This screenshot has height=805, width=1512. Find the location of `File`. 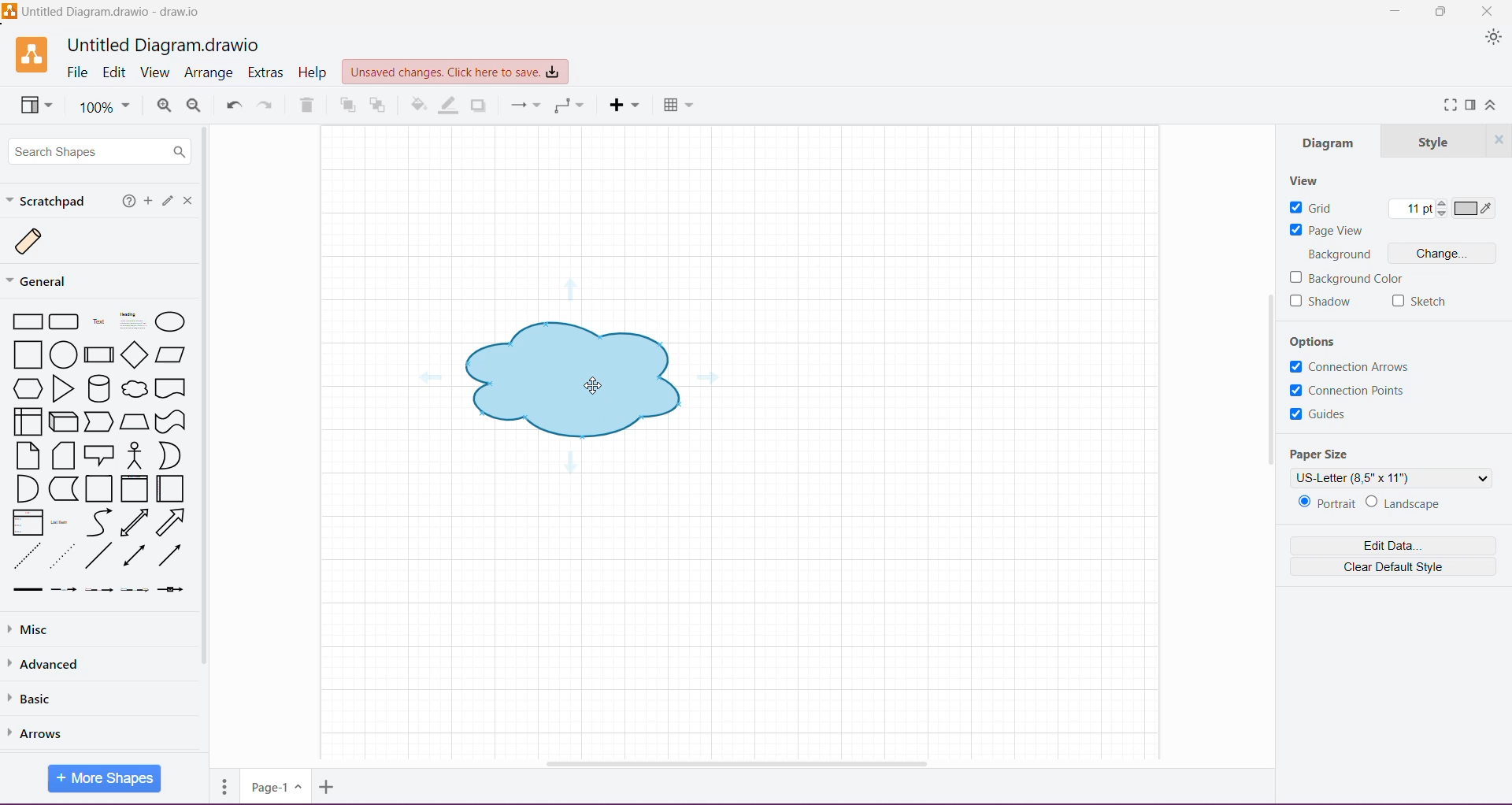

File is located at coordinates (76, 72).